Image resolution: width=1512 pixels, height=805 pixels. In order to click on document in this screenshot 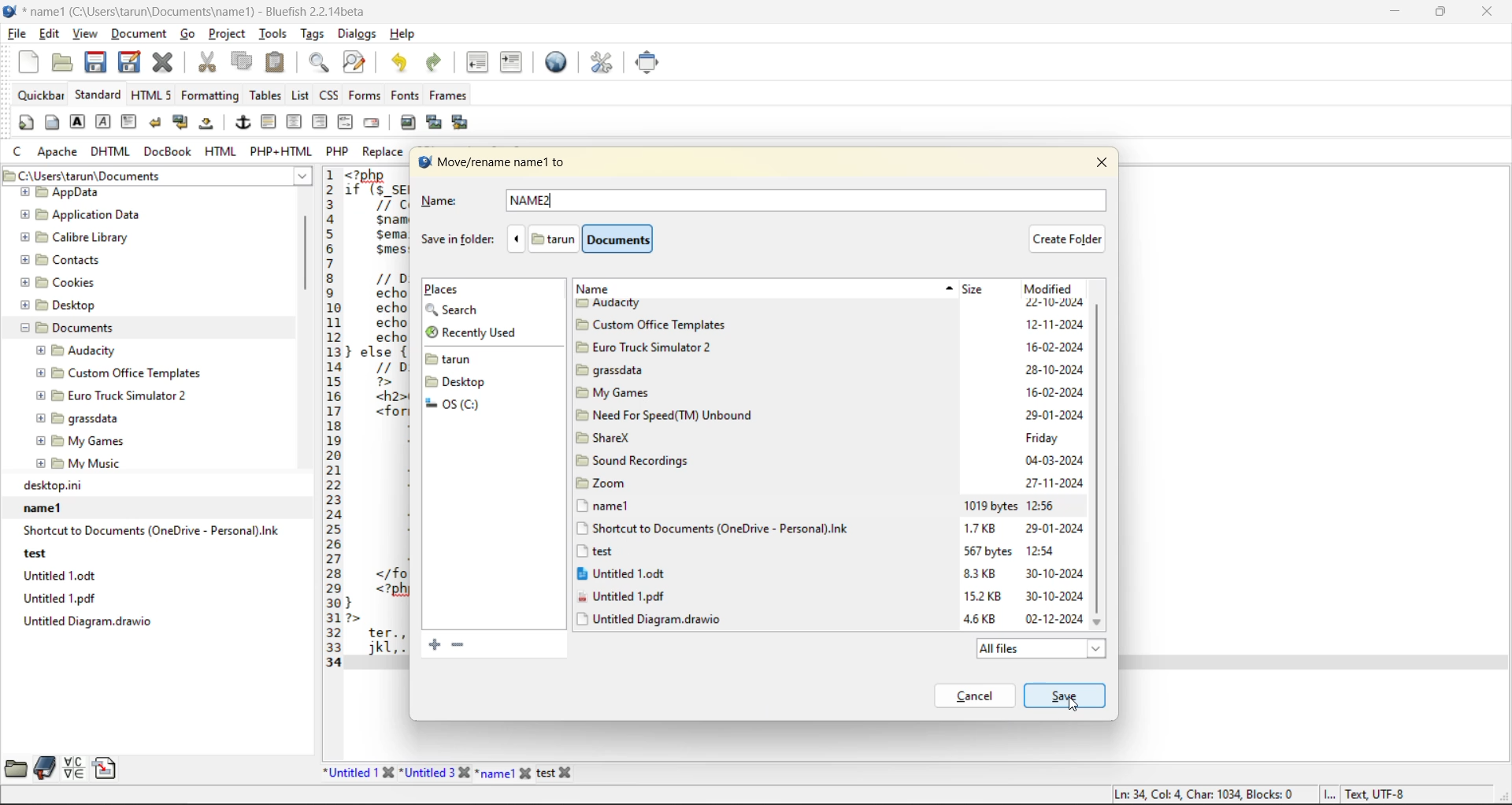, I will do `click(140, 35)`.